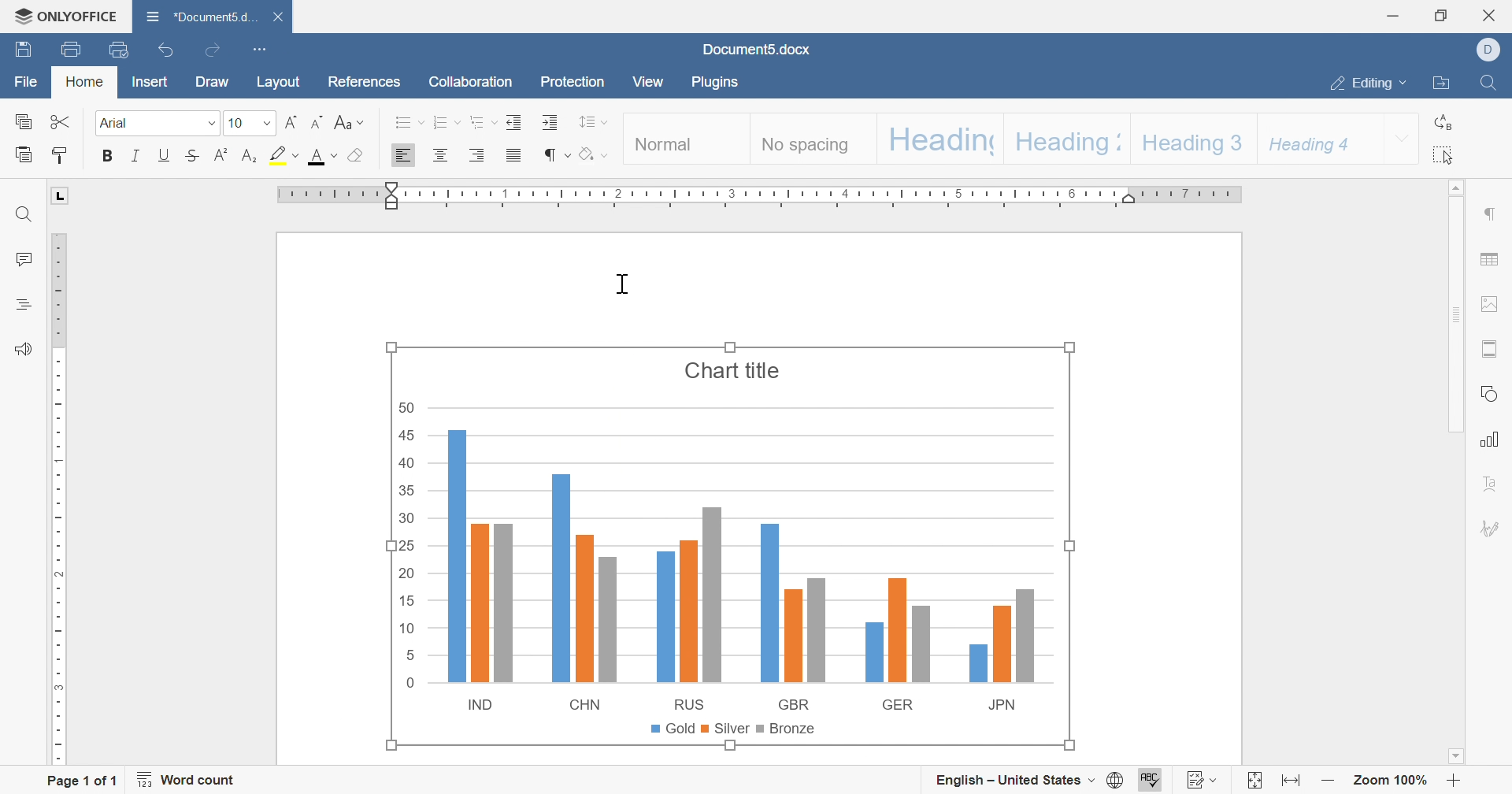  What do you see at coordinates (718, 82) in the screenshot?
I see `plugins` at bounding box center [718, 82].